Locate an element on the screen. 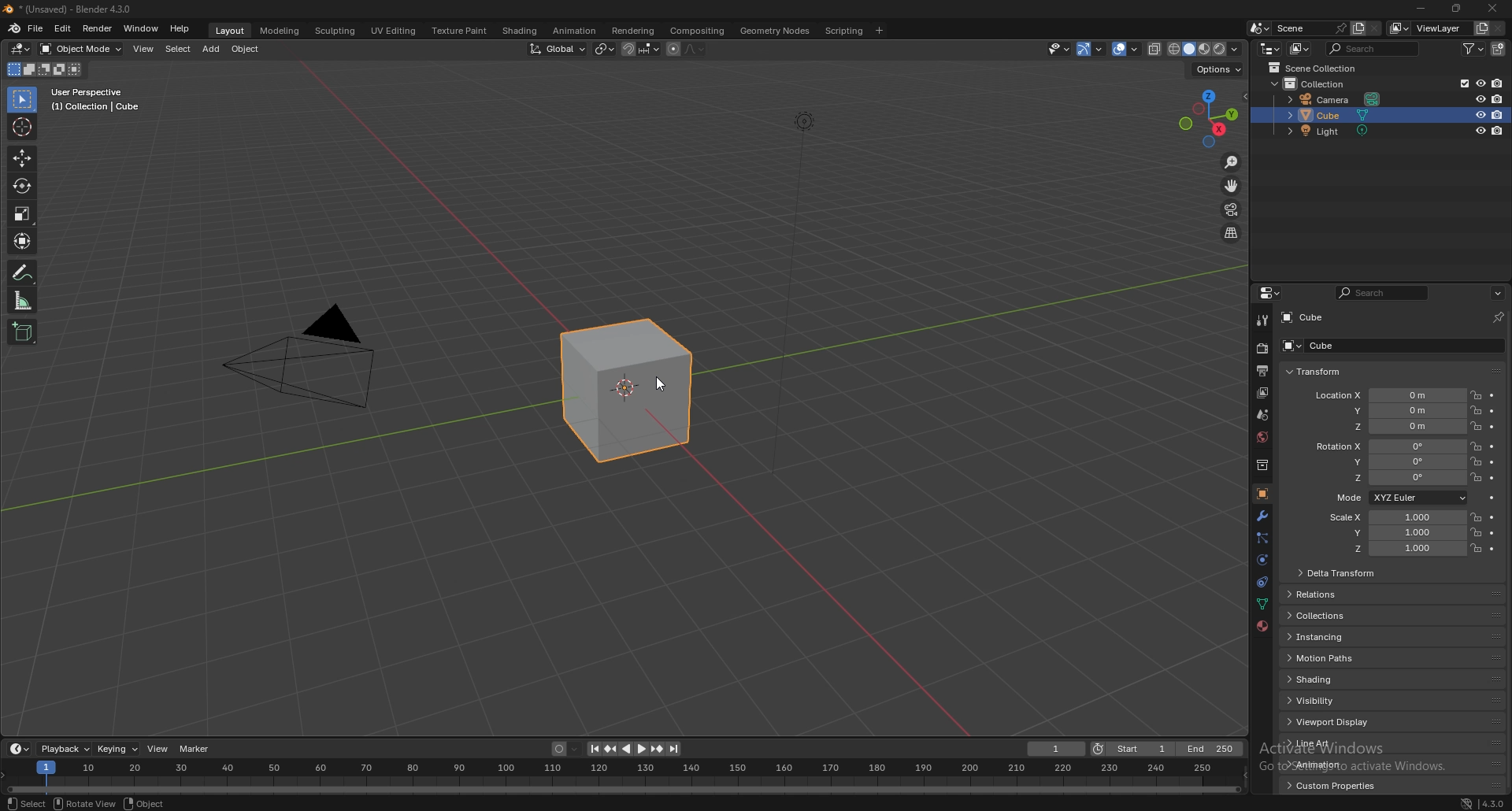 The width and height of the screenshot is (1512, 811). camera is located at coordinates (317, 357).